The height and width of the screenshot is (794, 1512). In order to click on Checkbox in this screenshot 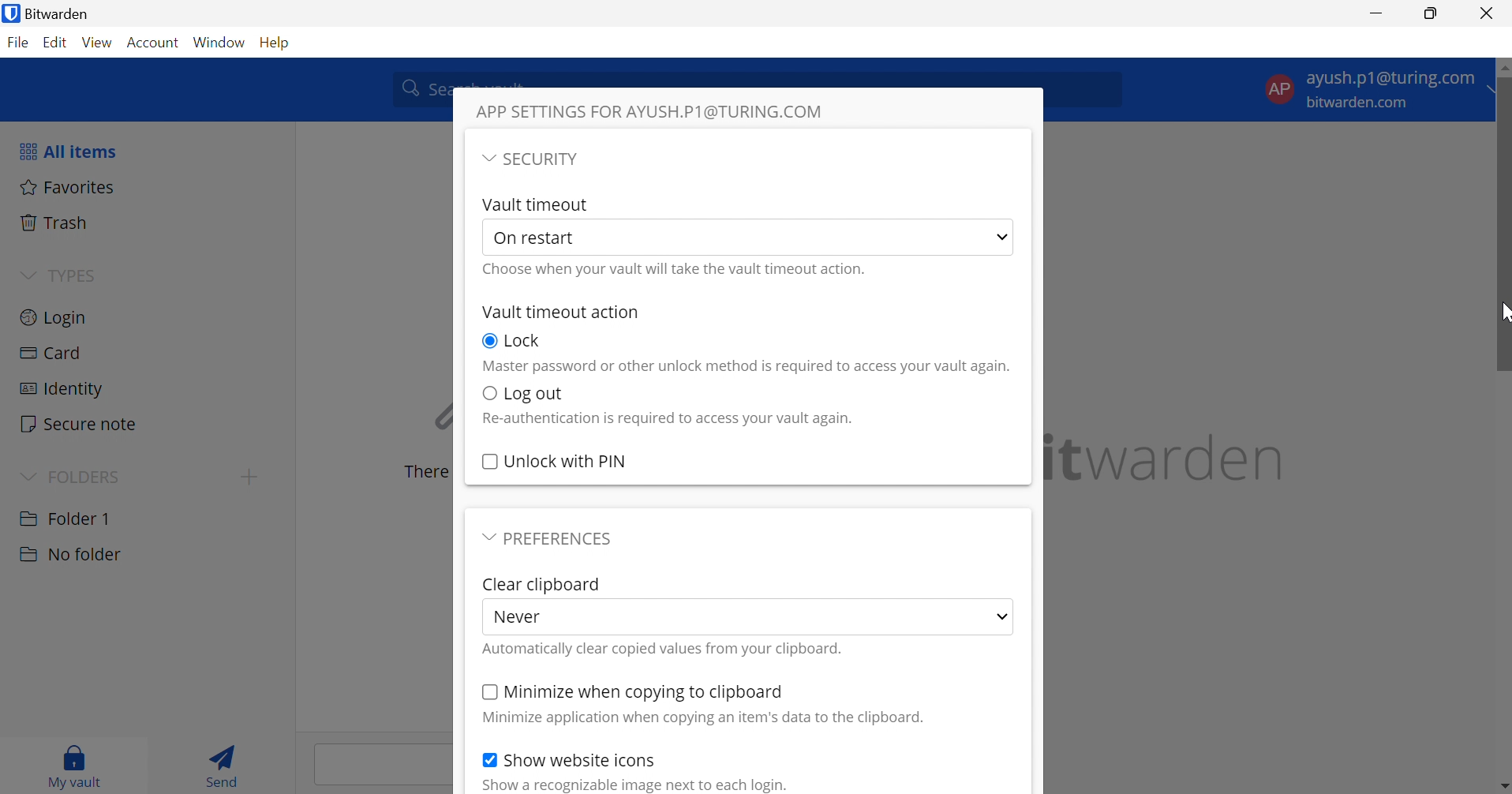, I will do `click(489, 463)`.